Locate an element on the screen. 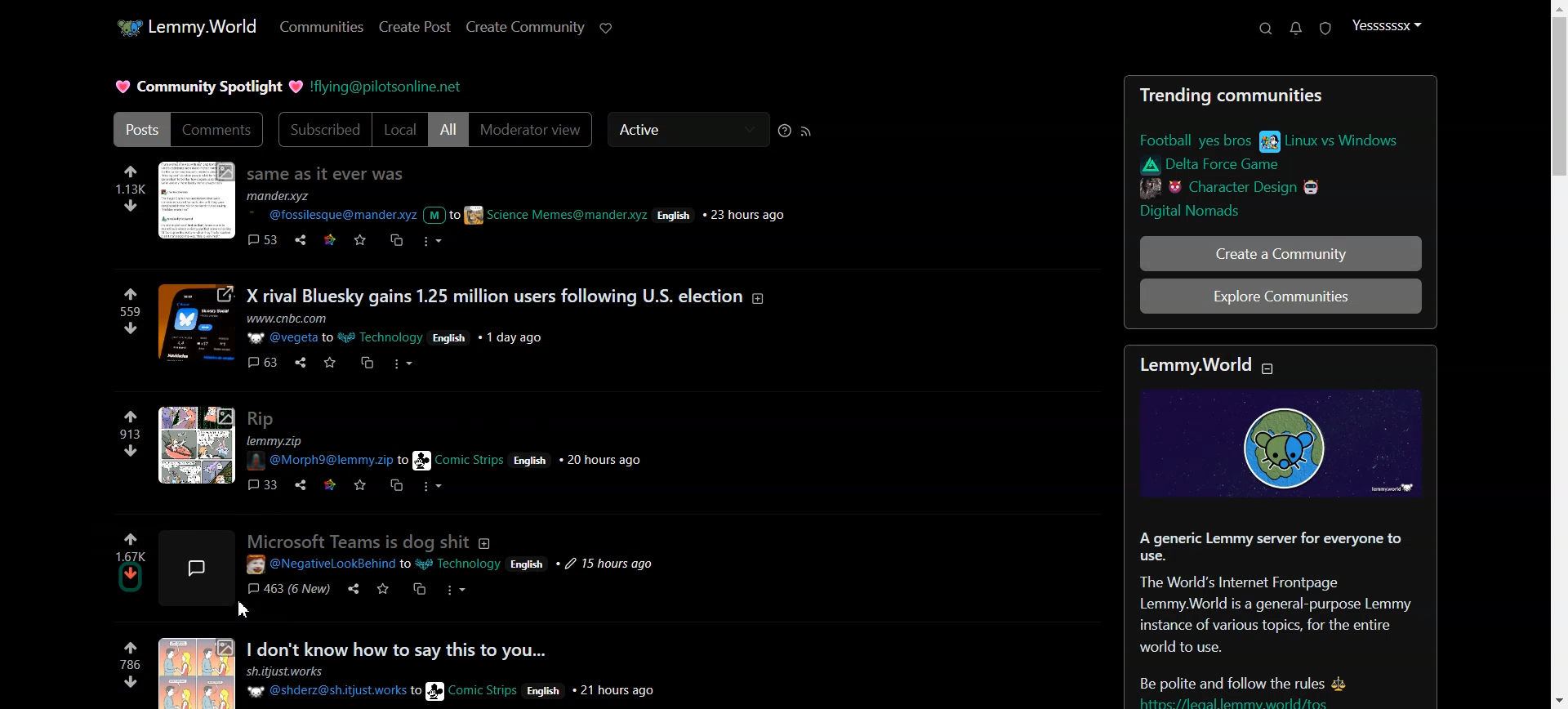  share is located at coordinates (303, 239).